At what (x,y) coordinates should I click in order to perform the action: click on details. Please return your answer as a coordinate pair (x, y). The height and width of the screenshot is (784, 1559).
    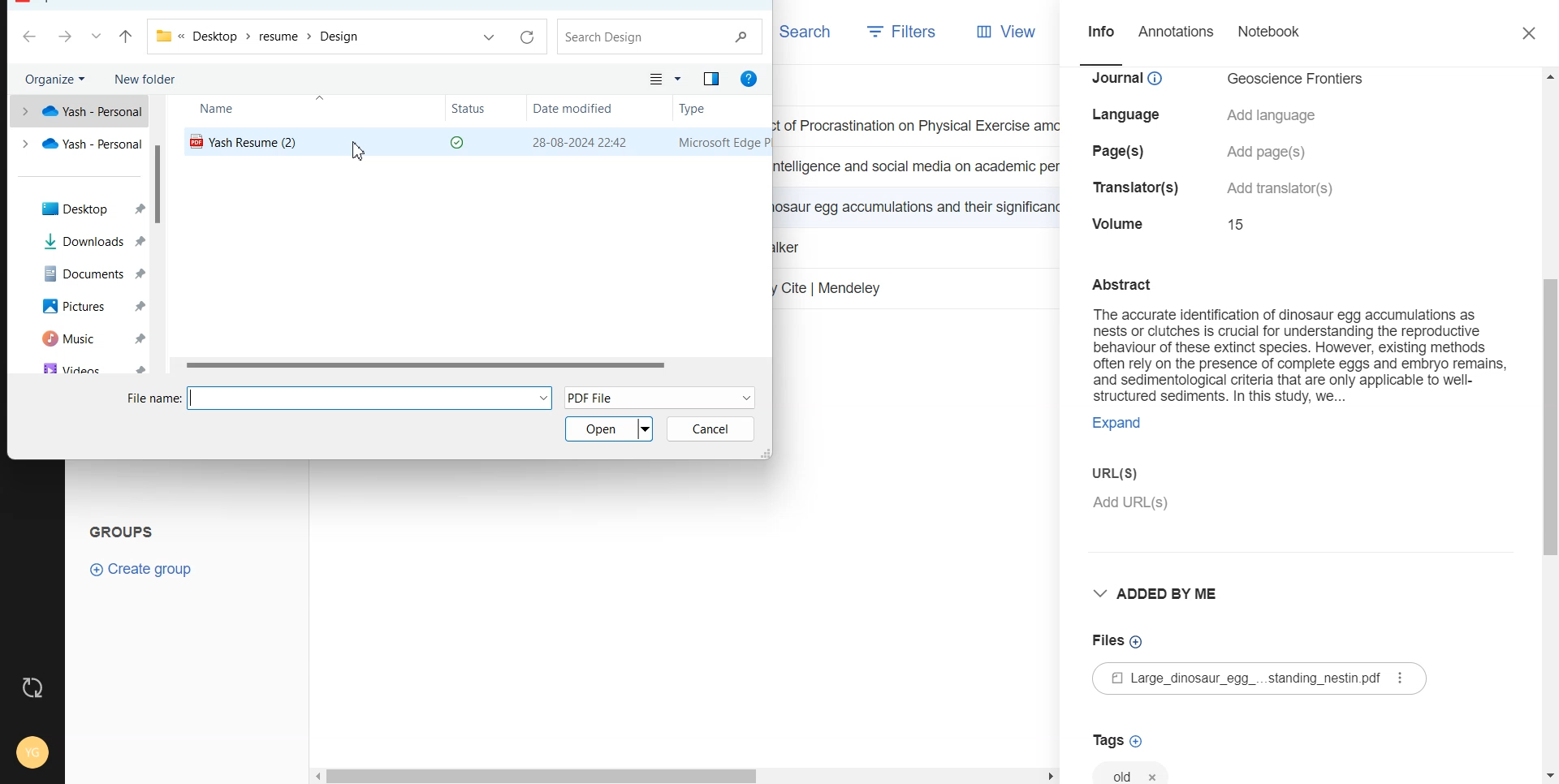
    Looking at the image, I should click on (1121, 223).